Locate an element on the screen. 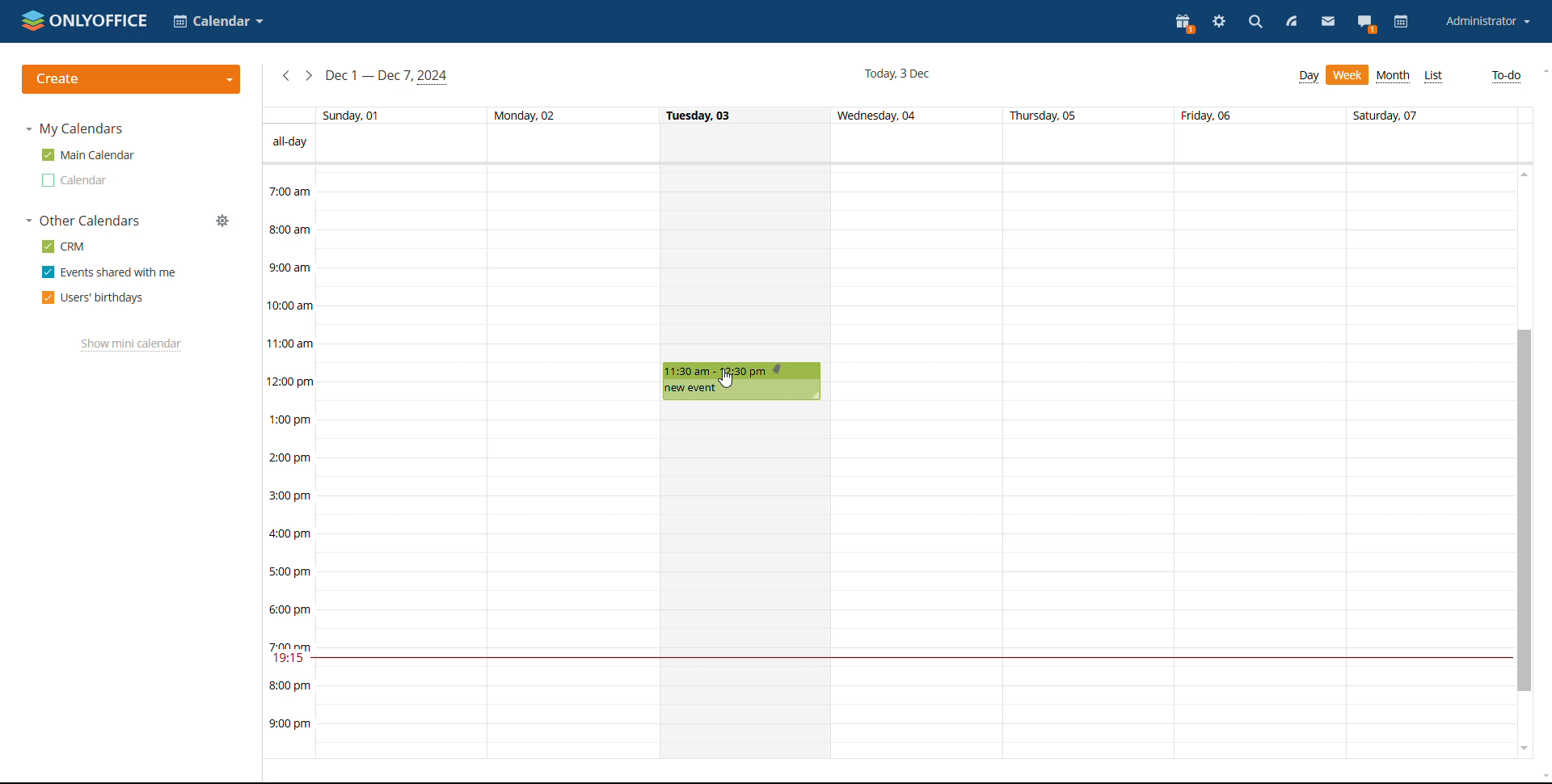 The width and height of the screenshot is (1552, 784). chat is located at coordinates (1366, 23).